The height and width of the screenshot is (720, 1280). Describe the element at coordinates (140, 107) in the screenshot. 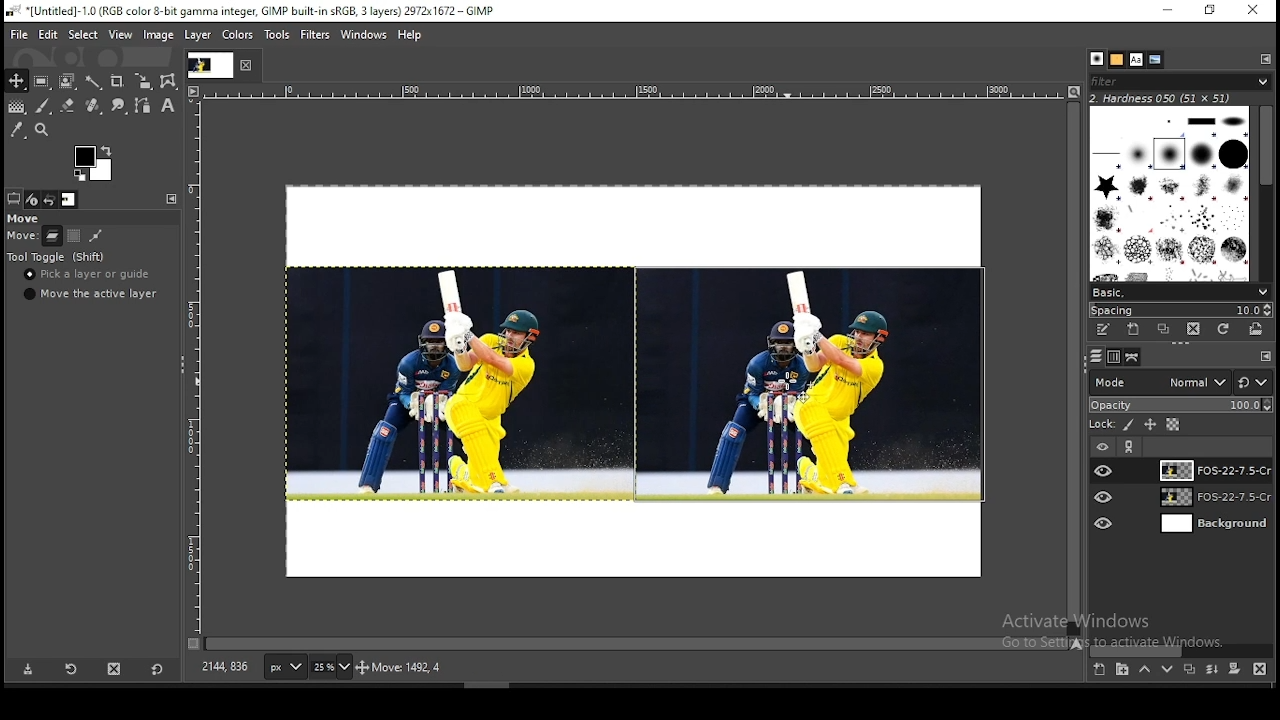

I see `paths tool` at that location.